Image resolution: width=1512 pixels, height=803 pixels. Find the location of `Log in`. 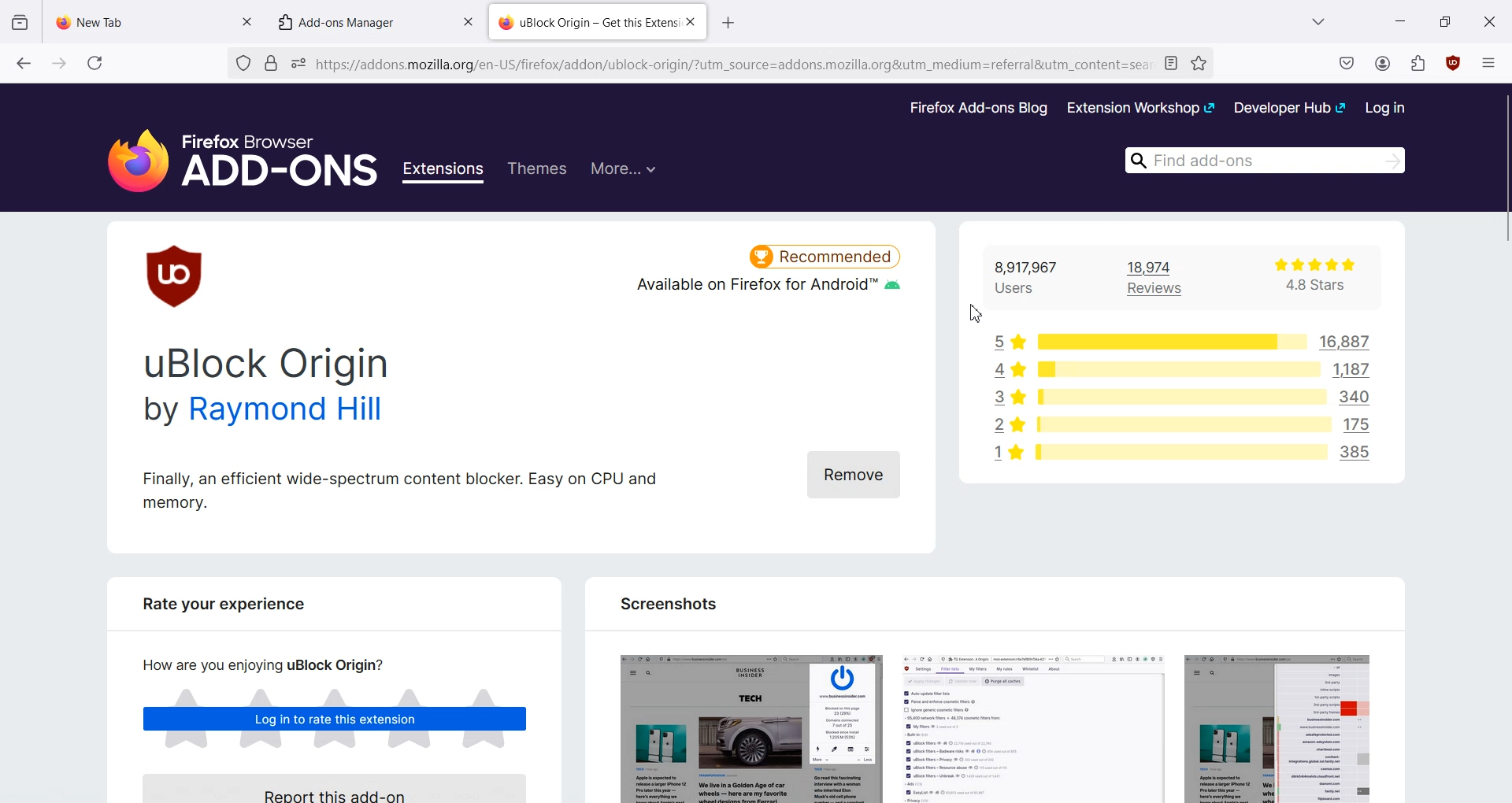

Log in is located at coordinates (1386, 107).